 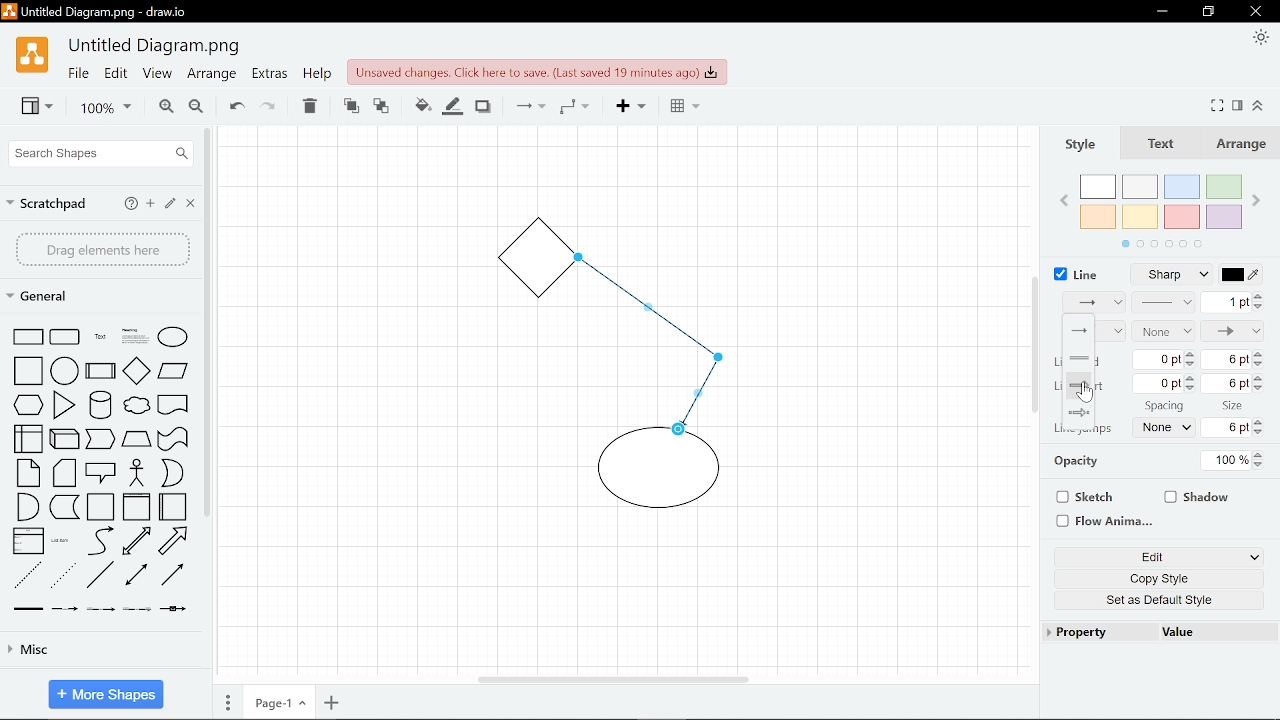 What do you see at coordinates (100, 611) in the screenshot?
I see `shape` at bounding box center [100, 611].